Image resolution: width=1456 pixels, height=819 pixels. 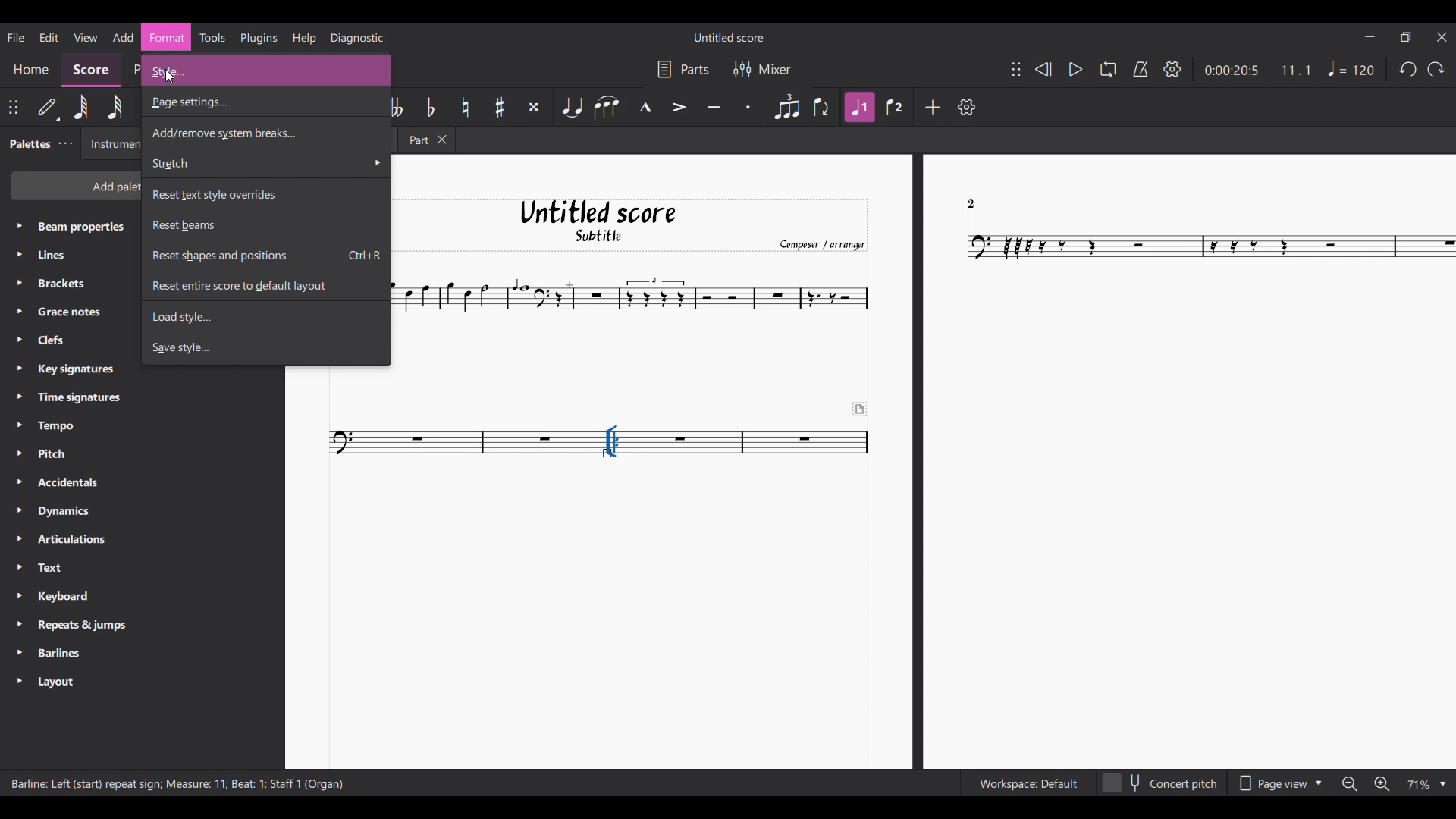 I want to click on Palette tab, current selection, so click(x=27, y=144).